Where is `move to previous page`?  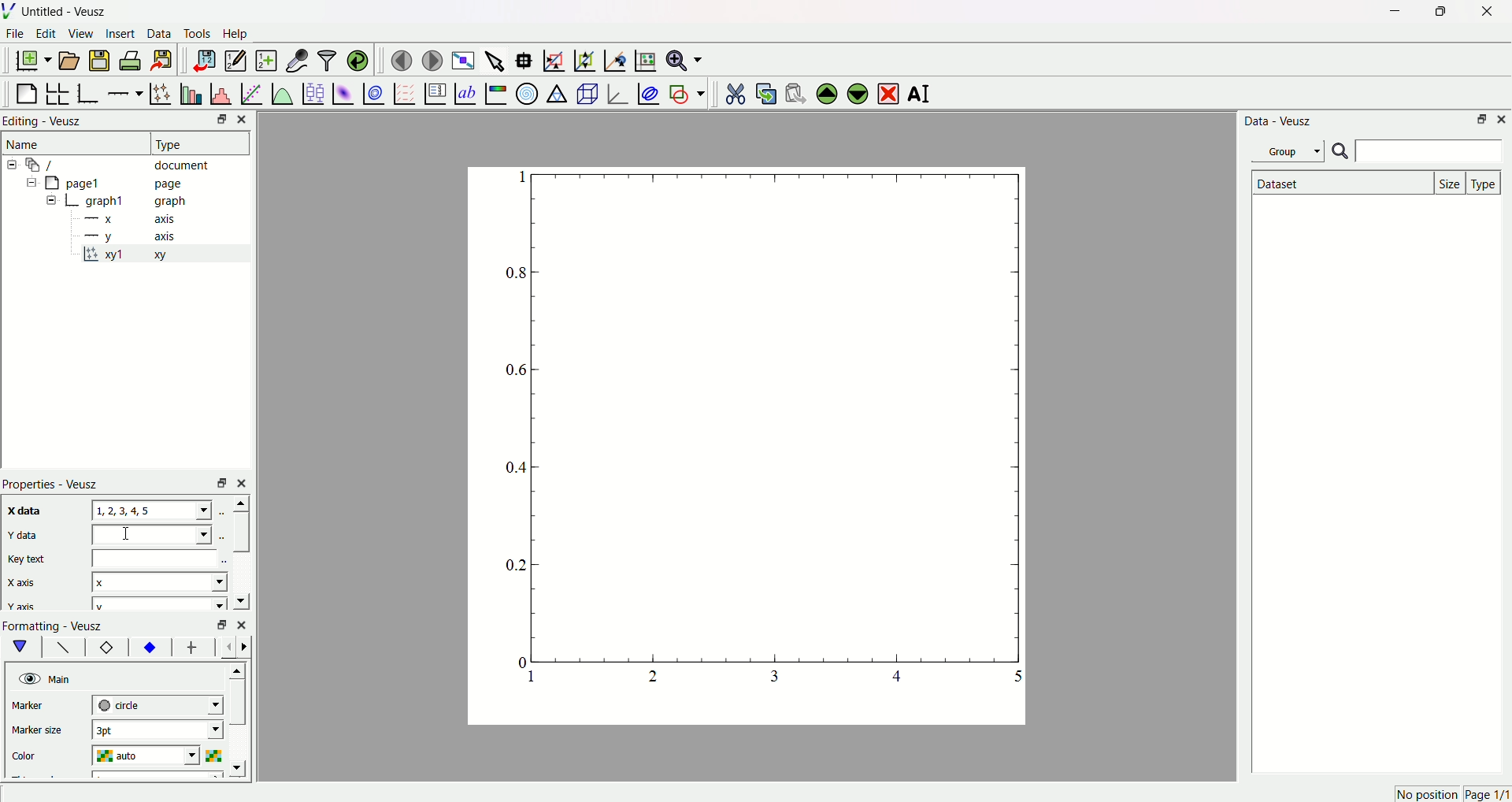
move to previous page is located at coordinates (401, 60).